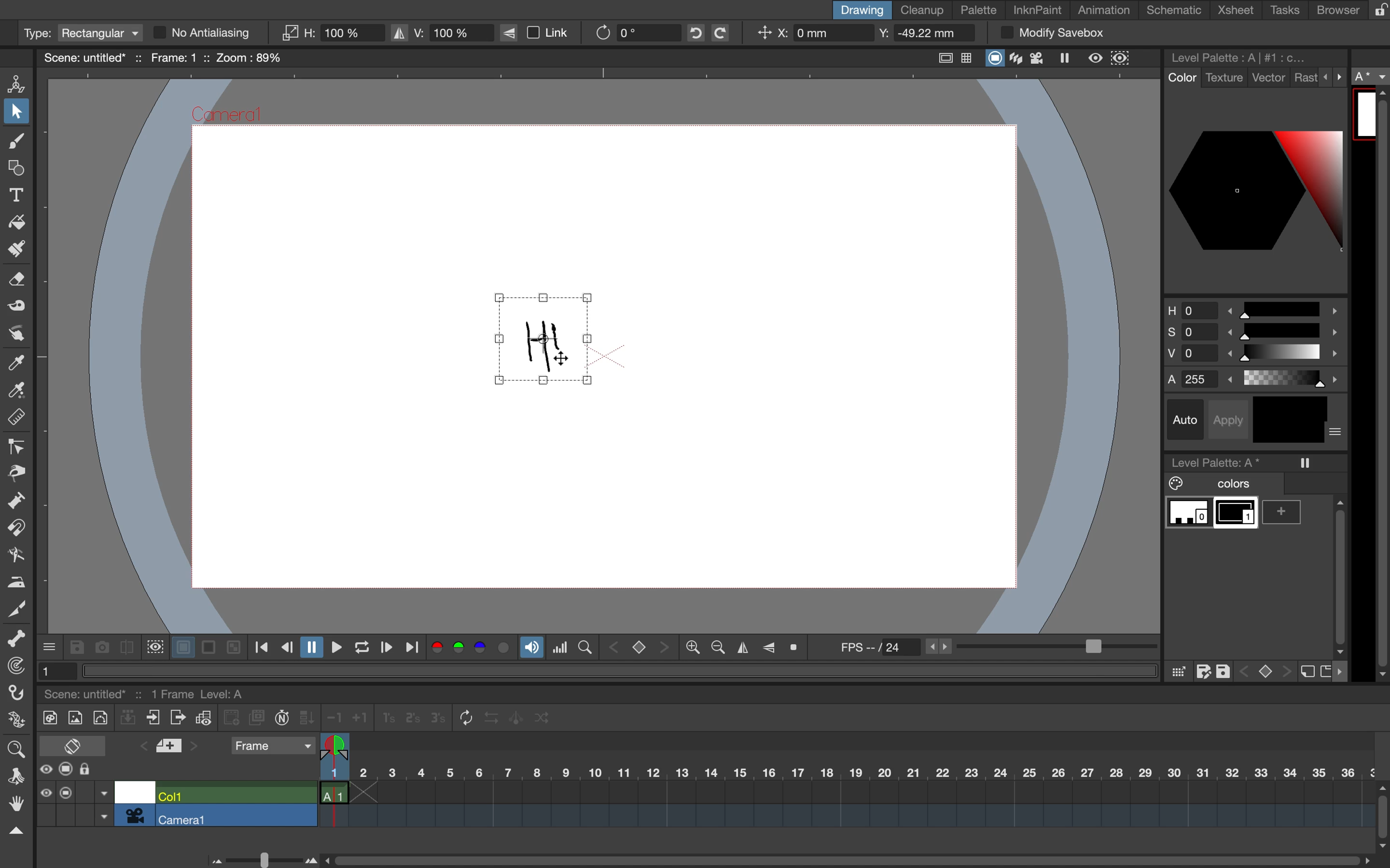 Image resolution: width=1390 pixels, height=868 pixels. Describe the element at coordinates (1039, 58) in the screenshot. I see `camera view` at that location.